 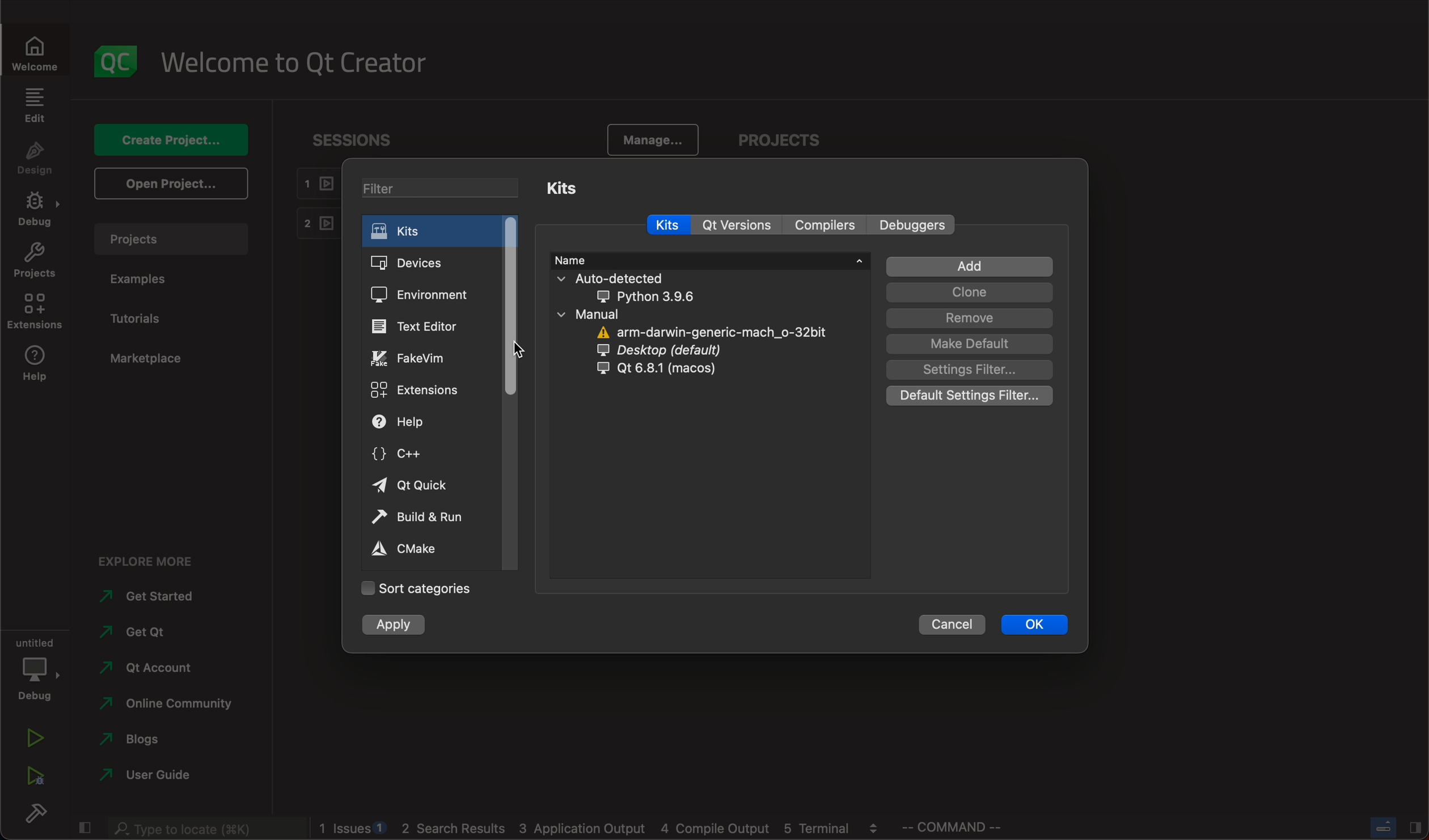 What do you see at coordinates (679, 368) in the screenshot?
I see `qt` at bounding box center [679, 368].